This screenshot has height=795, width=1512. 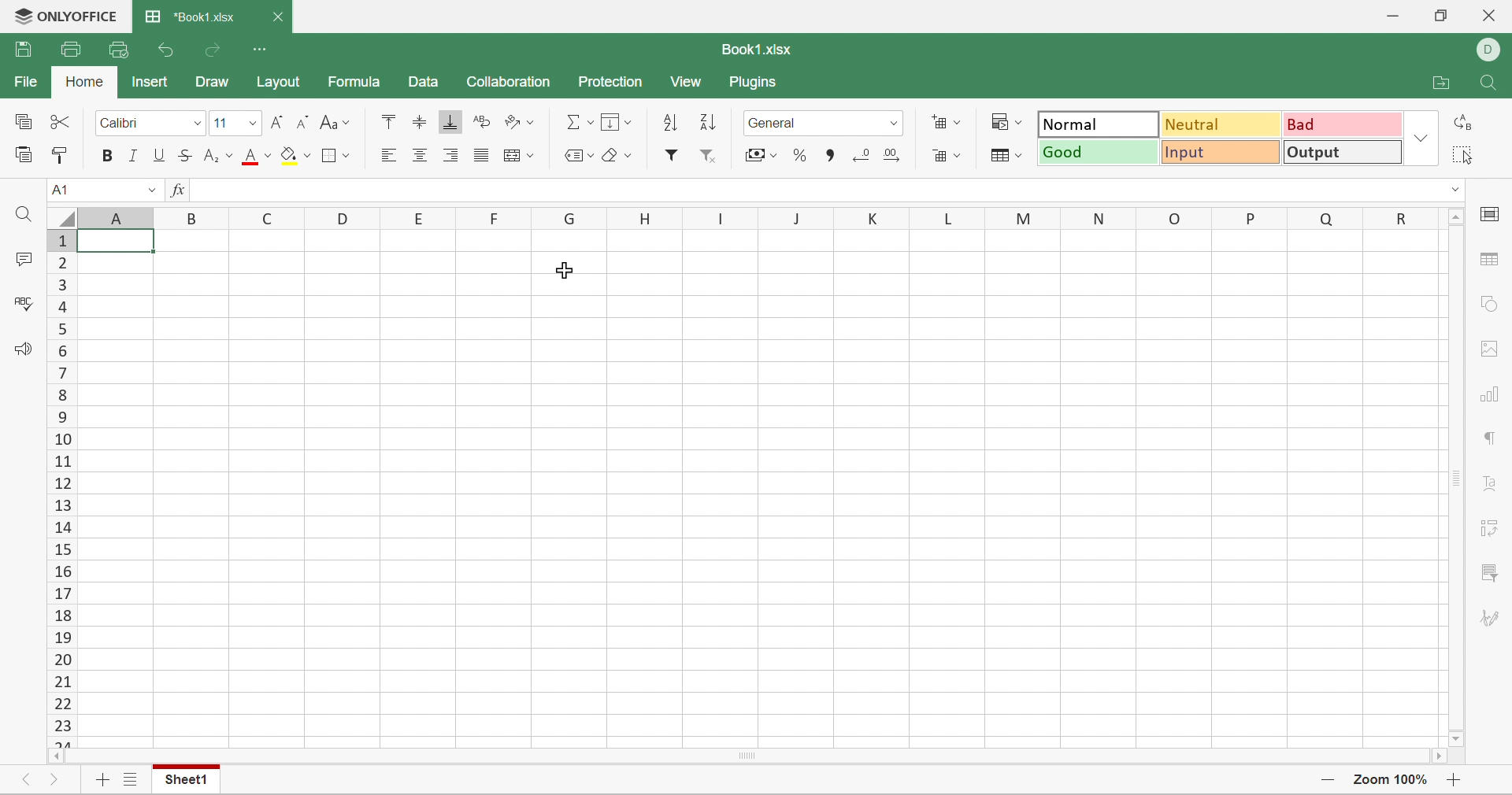 I want to click on Align Right, so click(x=450, y=156).